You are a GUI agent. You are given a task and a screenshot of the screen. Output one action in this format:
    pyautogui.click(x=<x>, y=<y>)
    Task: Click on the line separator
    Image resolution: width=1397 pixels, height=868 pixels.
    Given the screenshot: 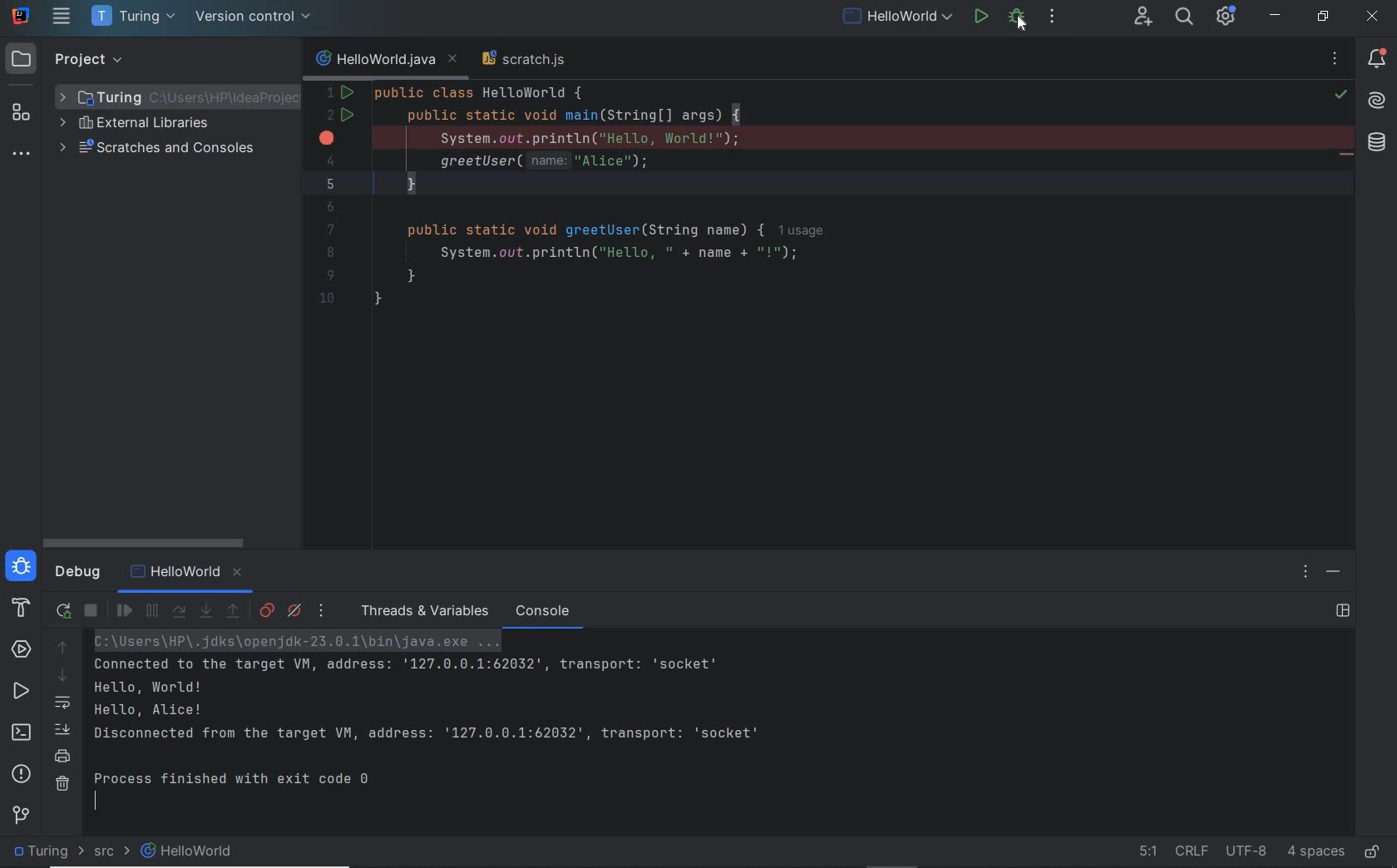 What is the action you would take?
    pyautogui.click(x=1192, y=852)
    